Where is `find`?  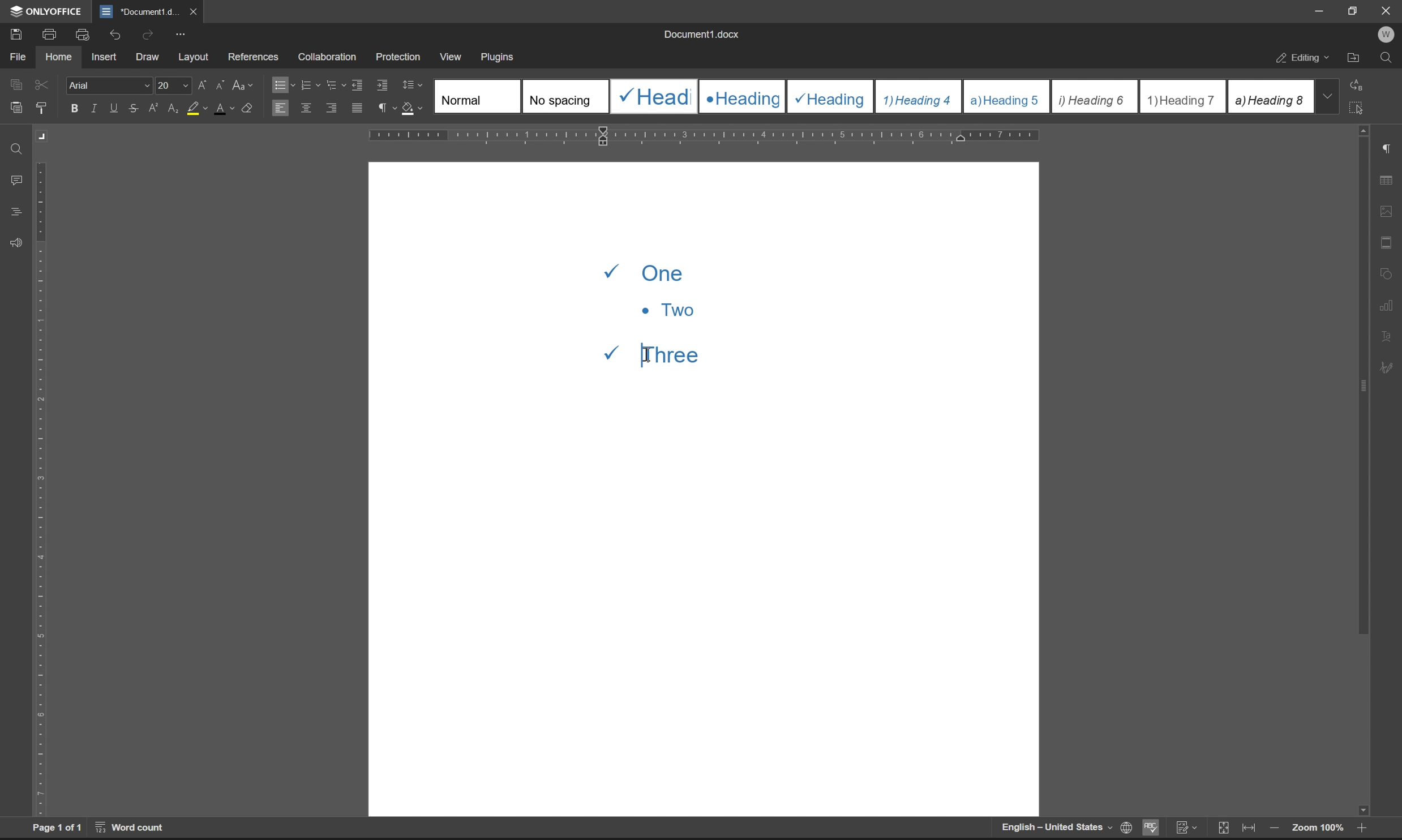
find is located at coordinates (1386, 58).